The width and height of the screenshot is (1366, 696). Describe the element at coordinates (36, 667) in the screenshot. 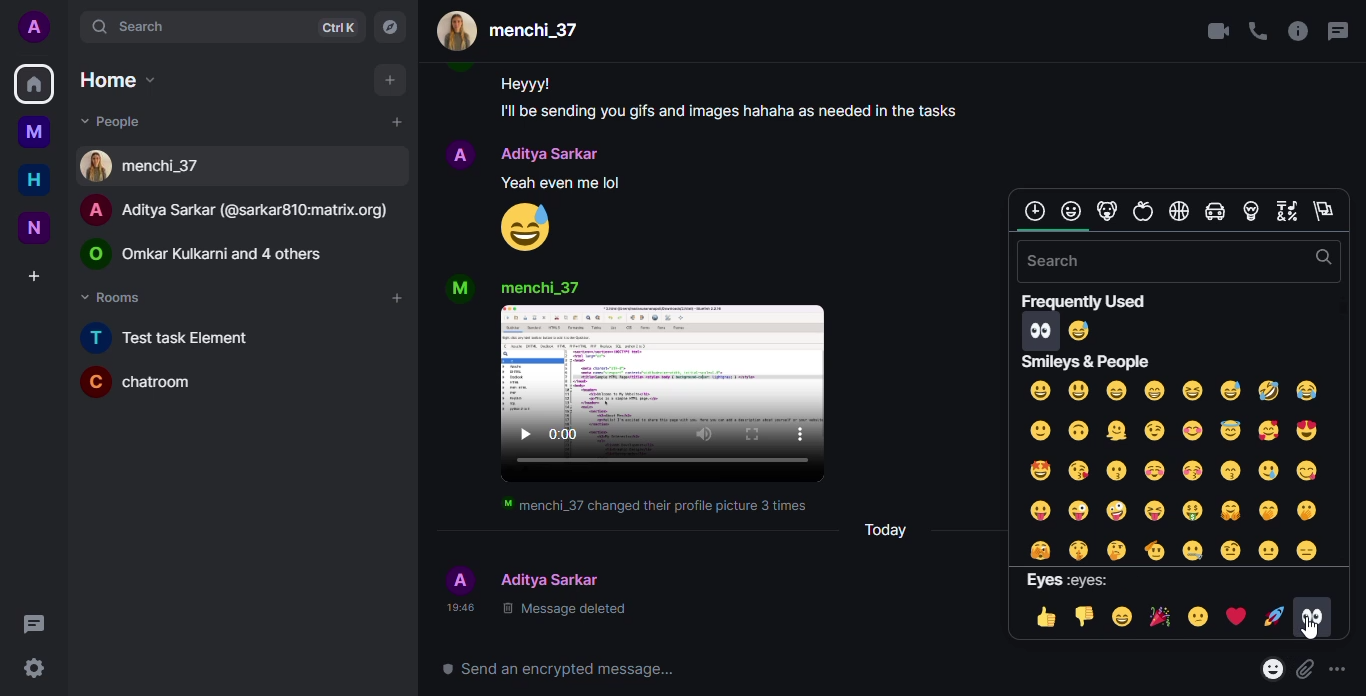

I see `quick settings` at that location.